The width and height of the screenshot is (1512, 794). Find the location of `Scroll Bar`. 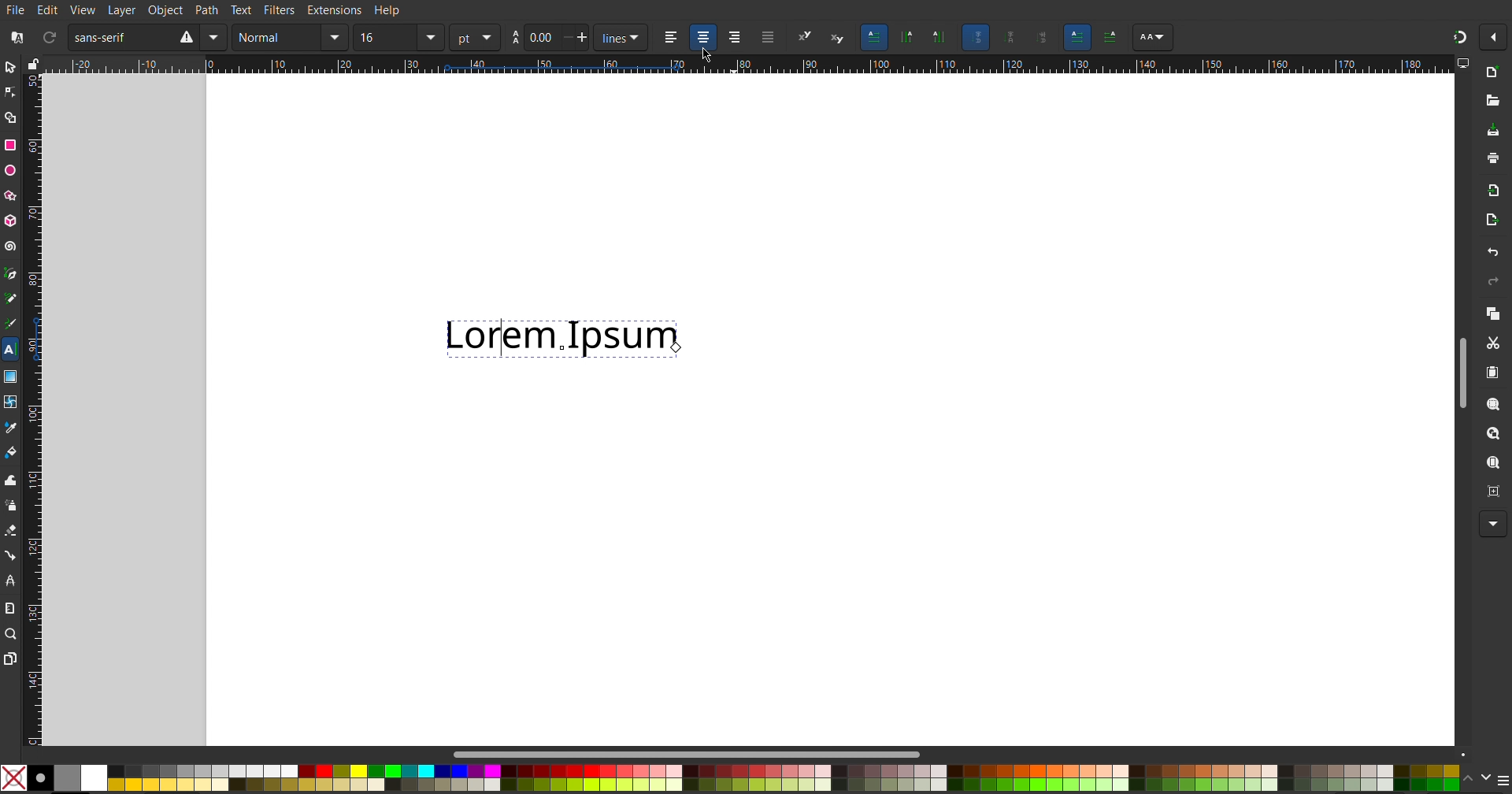

Scroll Bar is located at coordinates (1459, 371).